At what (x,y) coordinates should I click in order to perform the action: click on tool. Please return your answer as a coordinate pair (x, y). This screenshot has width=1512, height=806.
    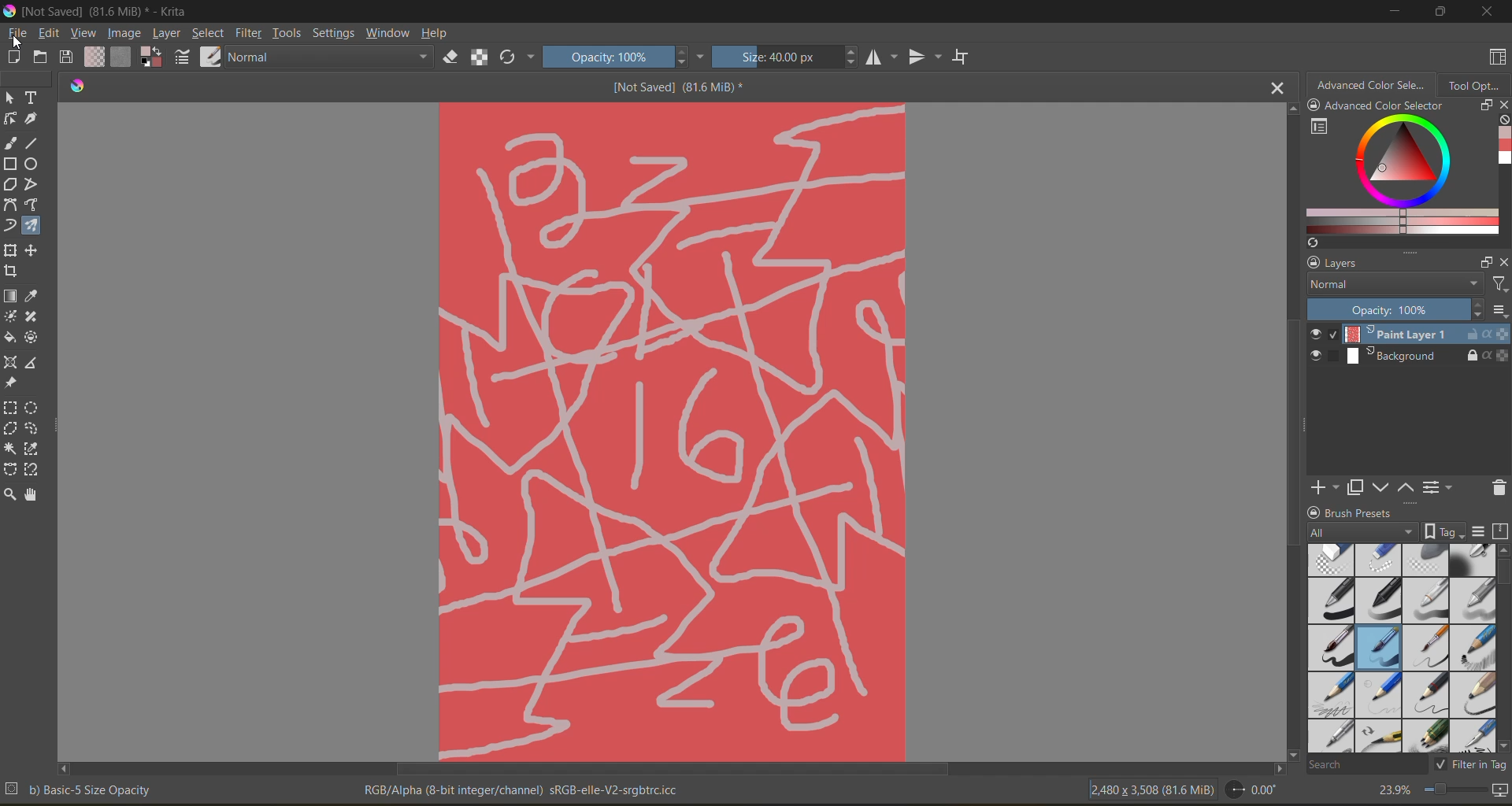
    Looking at the image, I should click on (32, 296).